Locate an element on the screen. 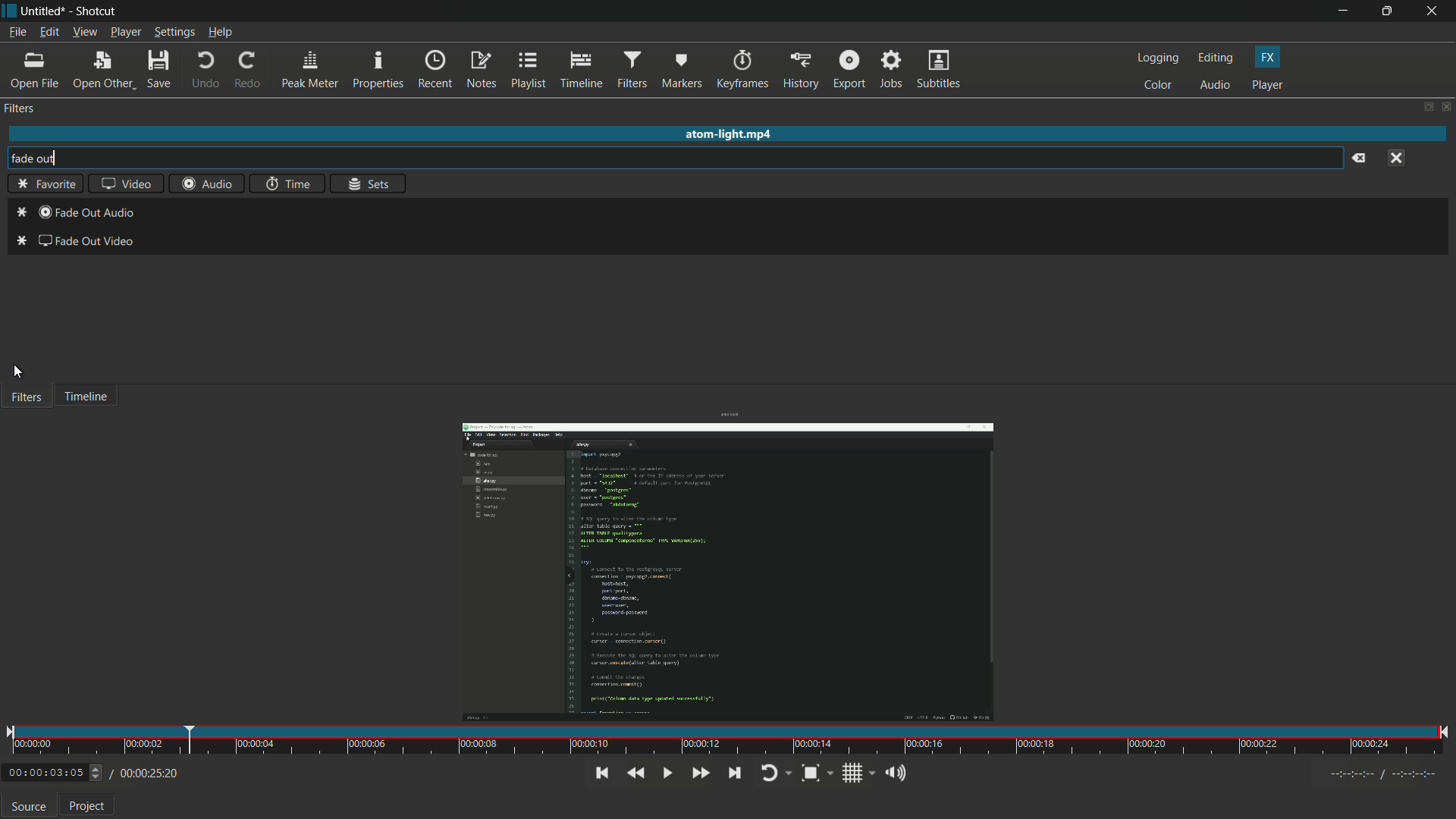  player is located at coordinates (1269, 85).